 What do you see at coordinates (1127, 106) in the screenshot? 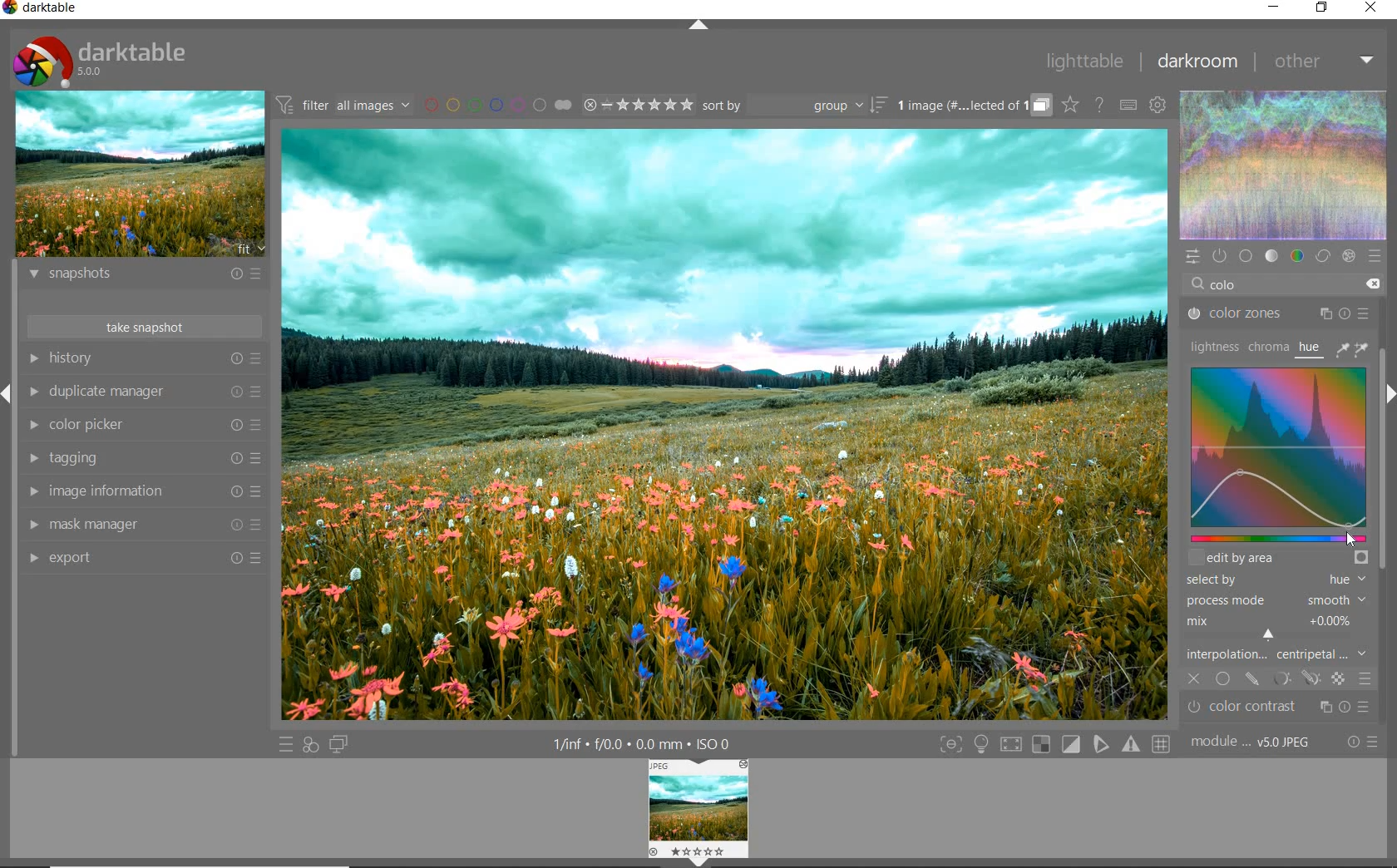
I see `set keyboard shortcuts` at bounding box center [1127, 106].